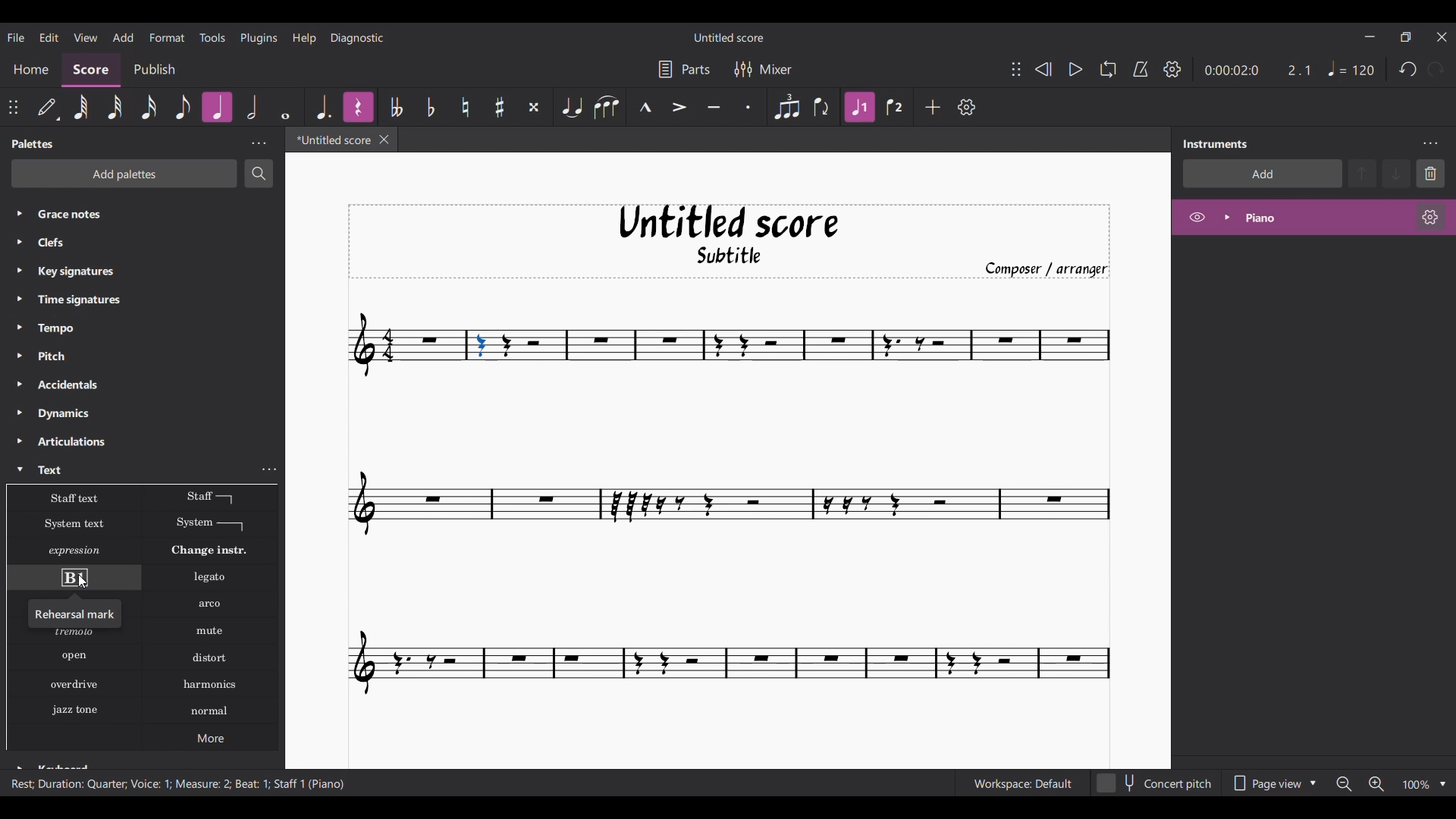 The width and height of the screenshot is (1456, 819). Describe the element at coordinates (607, 107) in the screenshot. I see `Slur` at that location.